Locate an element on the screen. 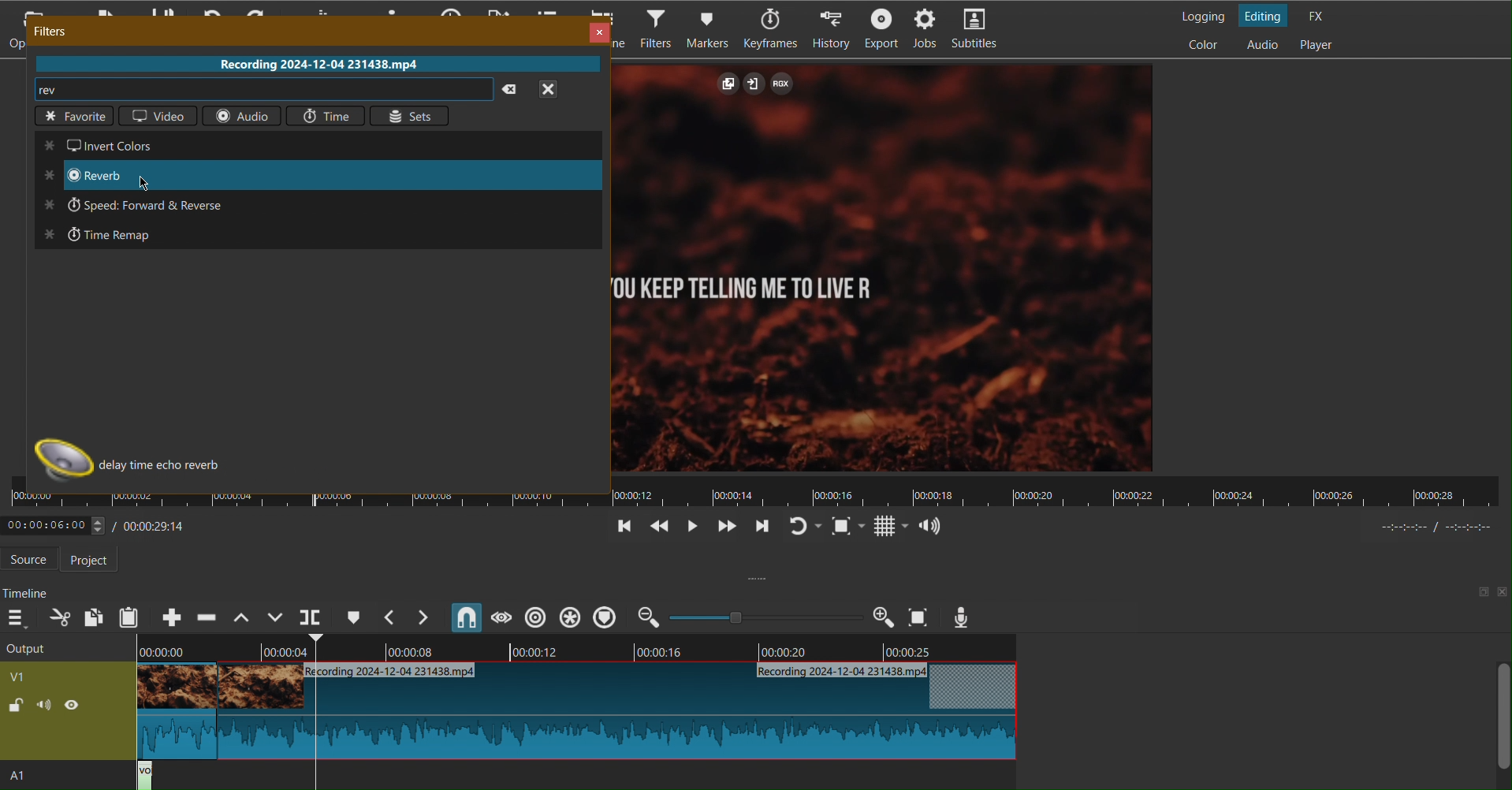 This screenshot has height=790, width=1512. Filters is located at coordinates (51, 30).